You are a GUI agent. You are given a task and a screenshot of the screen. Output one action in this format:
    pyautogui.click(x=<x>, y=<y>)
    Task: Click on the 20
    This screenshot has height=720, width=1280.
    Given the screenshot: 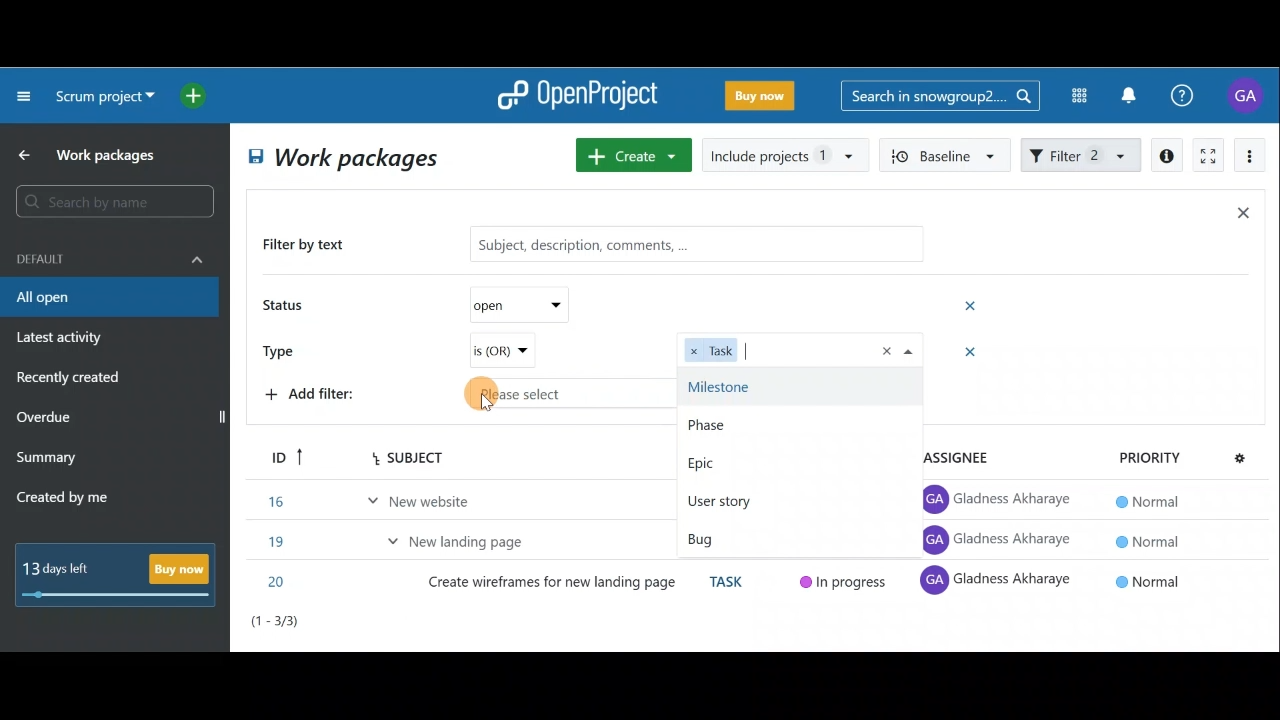 What is the action you would take?
    pyautogui.click(x=279, y=582)
    